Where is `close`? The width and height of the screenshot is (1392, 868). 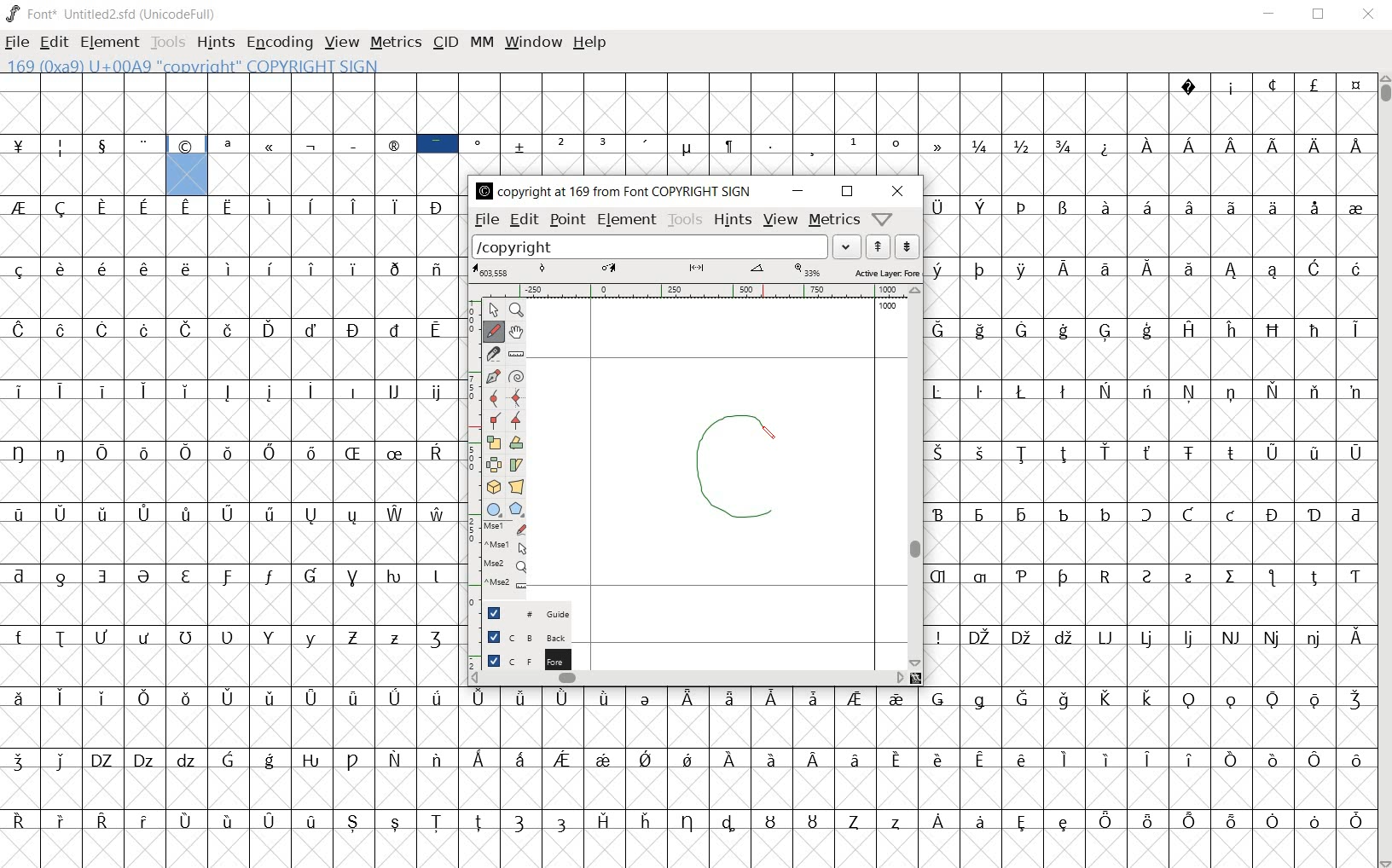
close is located at coordinates (902, 190).